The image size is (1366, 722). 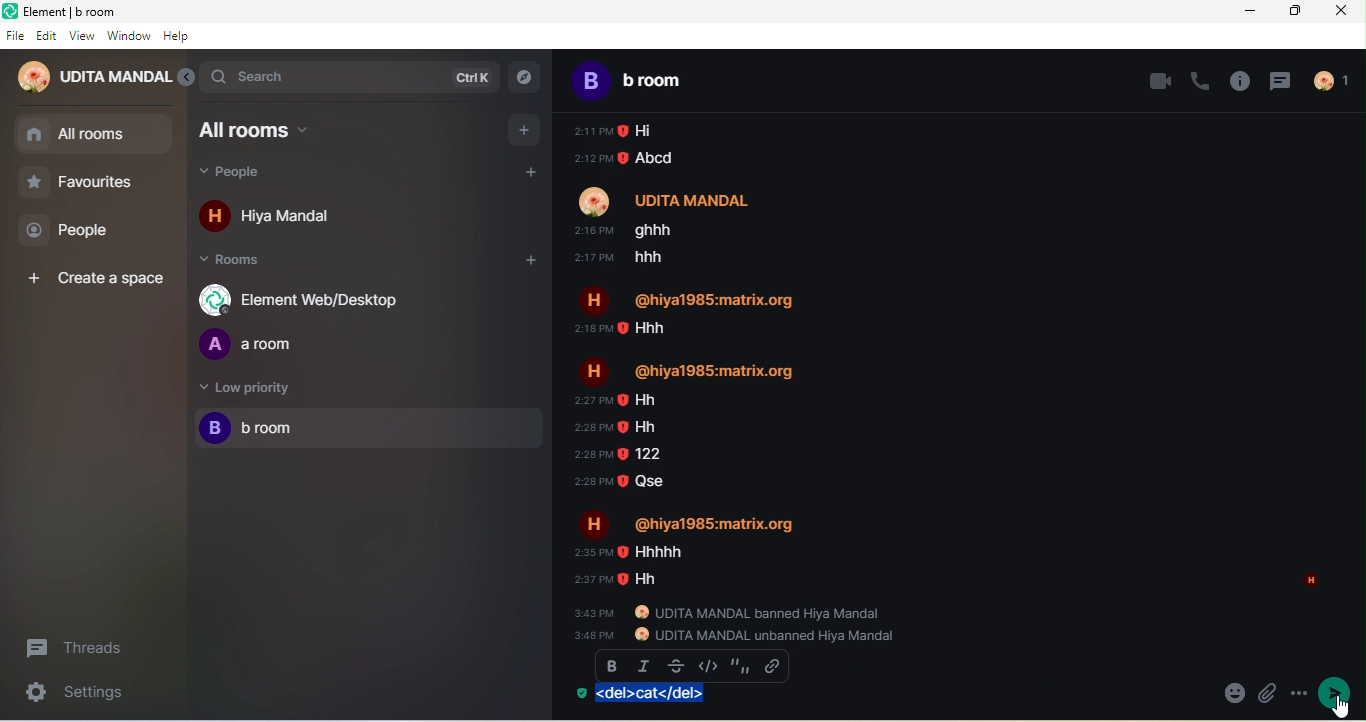 I want to click on insert link, so click(x=773, y=666).